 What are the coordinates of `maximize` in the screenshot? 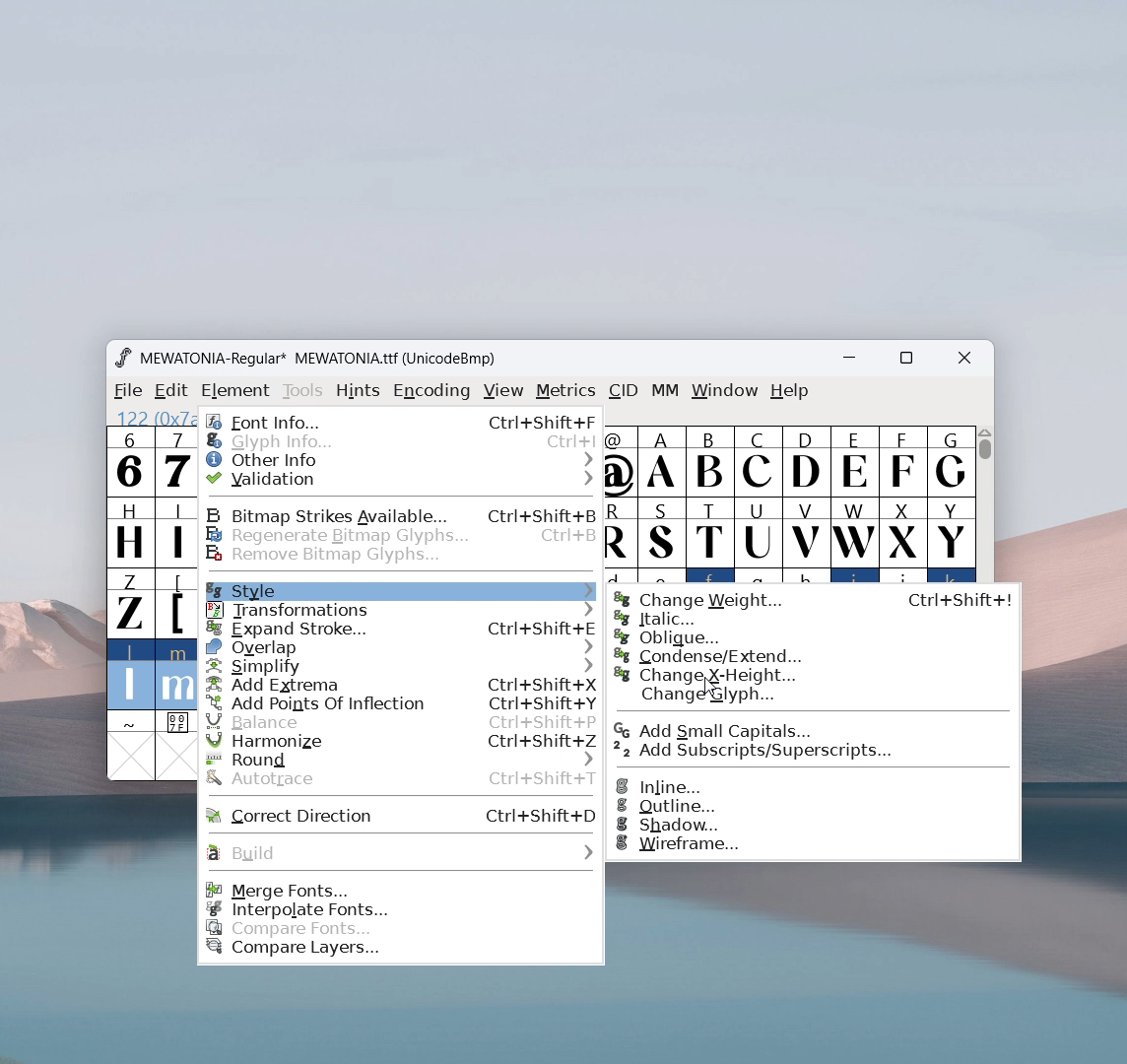 It's located at (905, 361).